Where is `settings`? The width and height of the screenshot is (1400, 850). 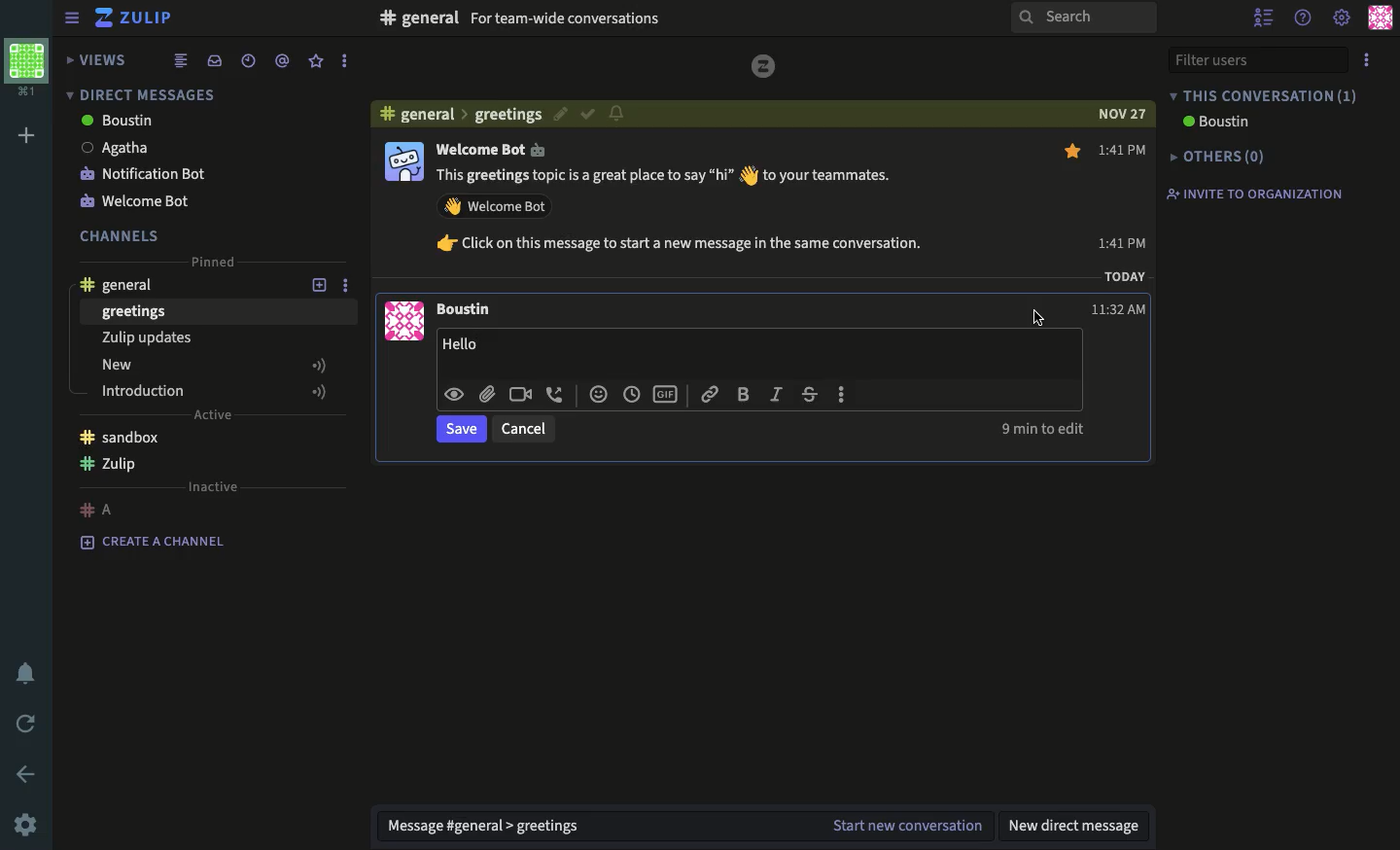 settings is located at coordinates (25, 826).